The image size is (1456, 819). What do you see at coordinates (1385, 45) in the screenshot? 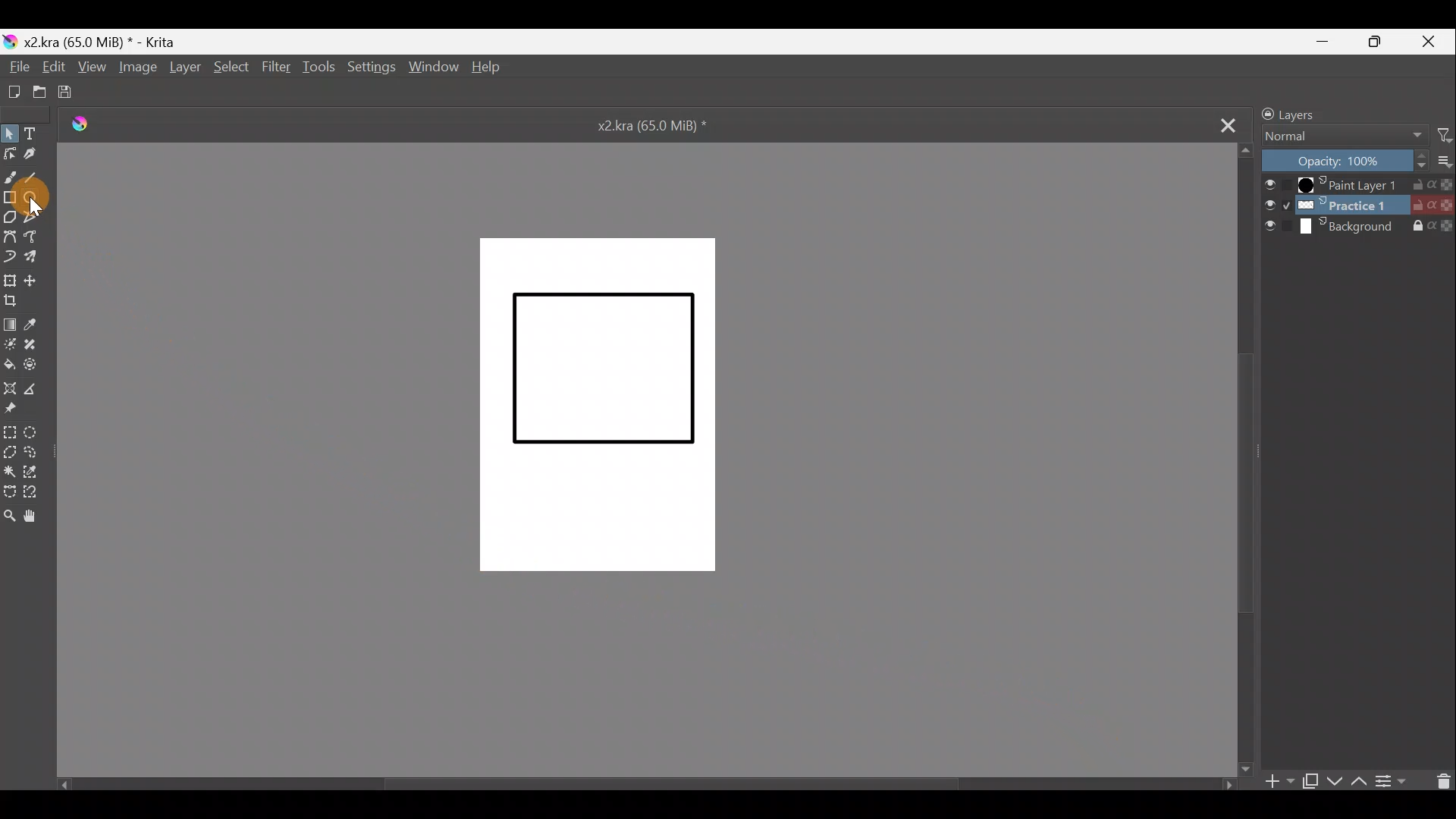
I see `Maximize` at bounding box center [1385, 45].